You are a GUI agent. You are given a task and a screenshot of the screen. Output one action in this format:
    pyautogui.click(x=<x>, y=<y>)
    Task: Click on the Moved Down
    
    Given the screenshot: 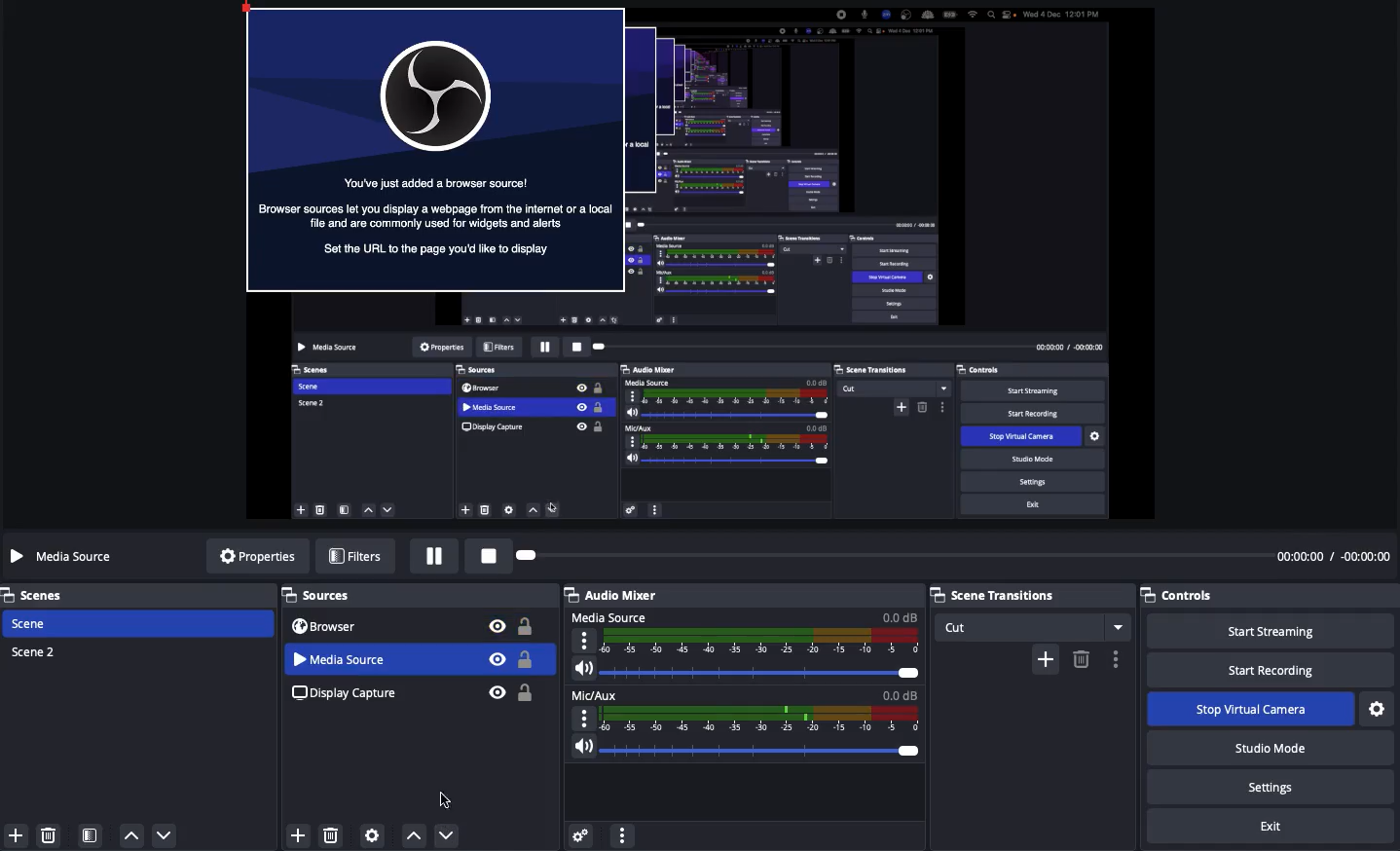 What is the action you would take?
    pyautogui.click(x=382, y=658)
    